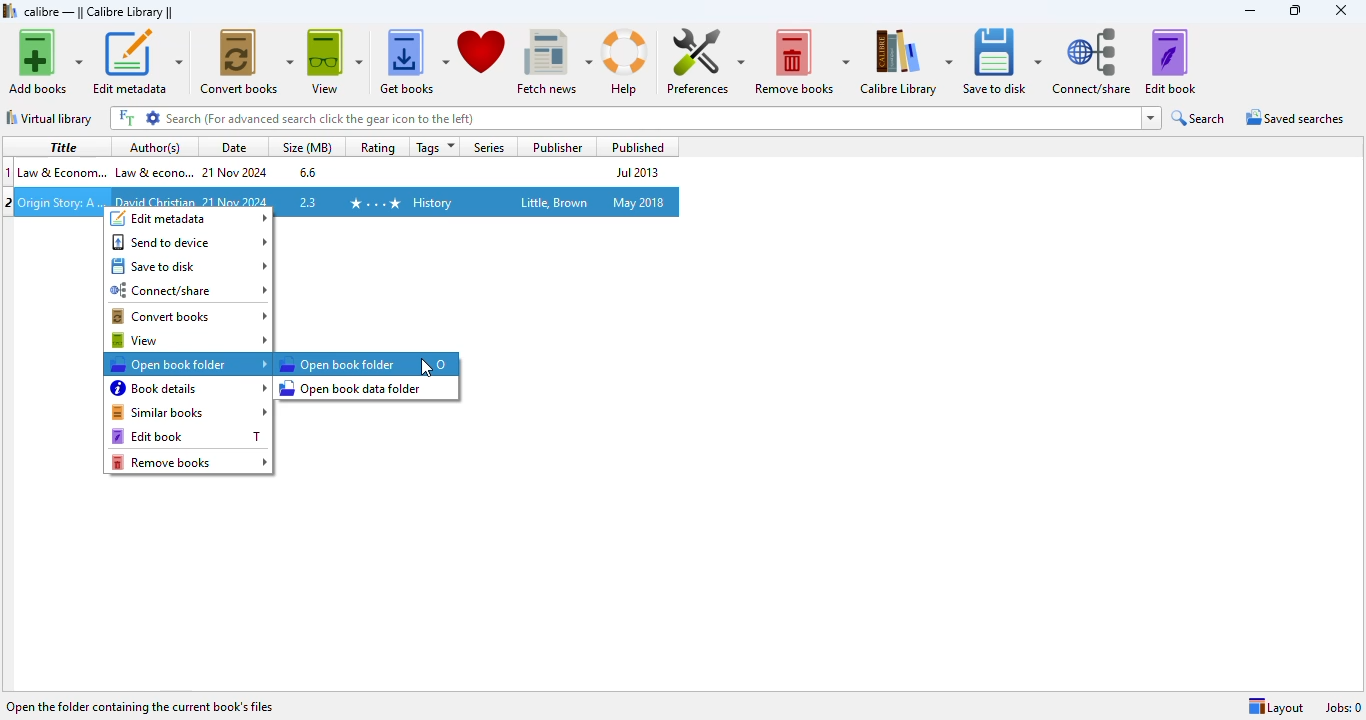 The height and width of the screenshot is (720, 1366). What do you see at coordinates (1342, 11) in the screenshot?
I see `close` at bounding box center [1342, 11].